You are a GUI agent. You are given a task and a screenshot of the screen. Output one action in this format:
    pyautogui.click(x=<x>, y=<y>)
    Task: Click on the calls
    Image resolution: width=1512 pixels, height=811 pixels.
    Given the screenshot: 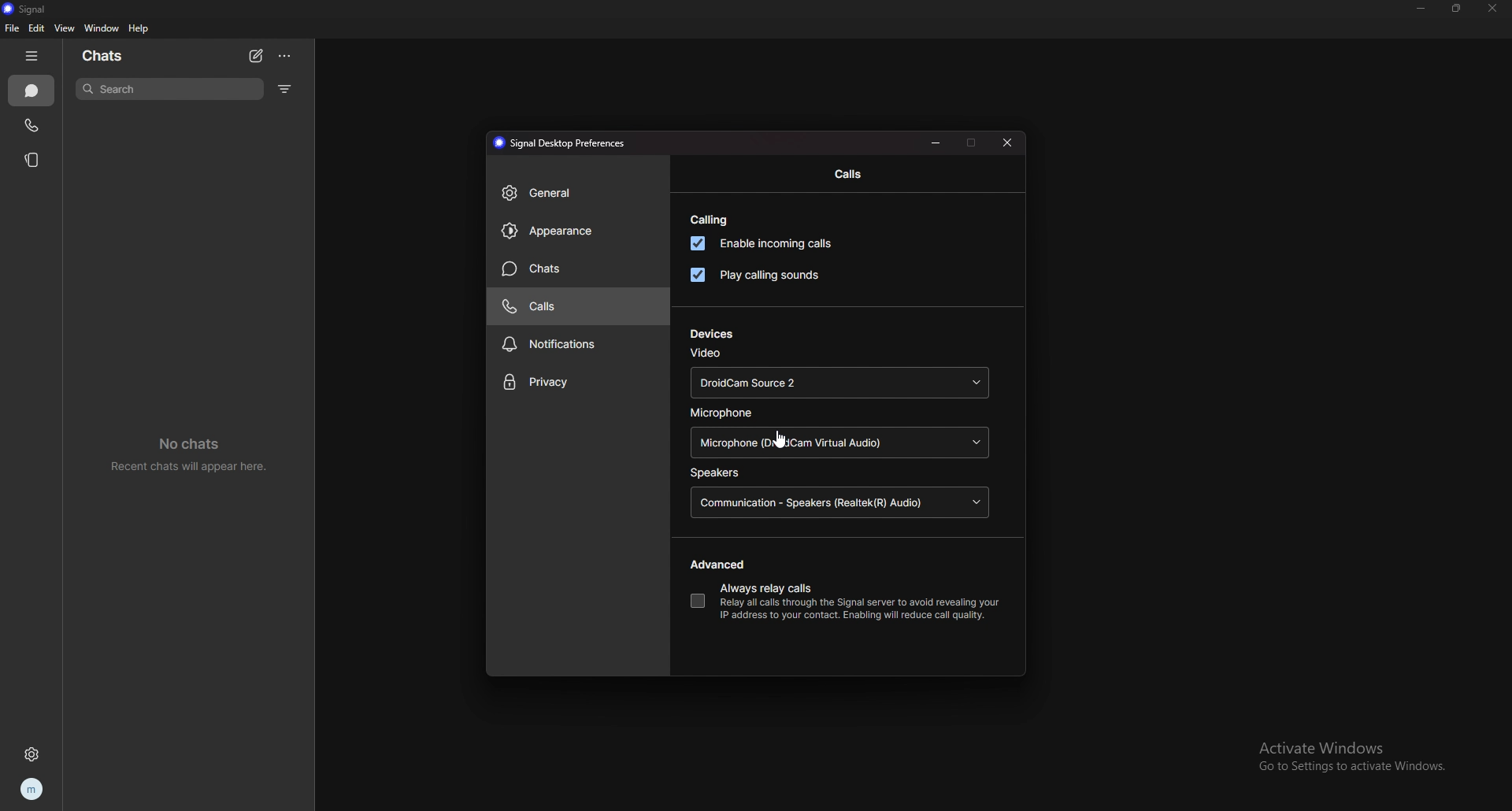 What is the action you would take?
    pyautogui.click(x=32, y=124)
    